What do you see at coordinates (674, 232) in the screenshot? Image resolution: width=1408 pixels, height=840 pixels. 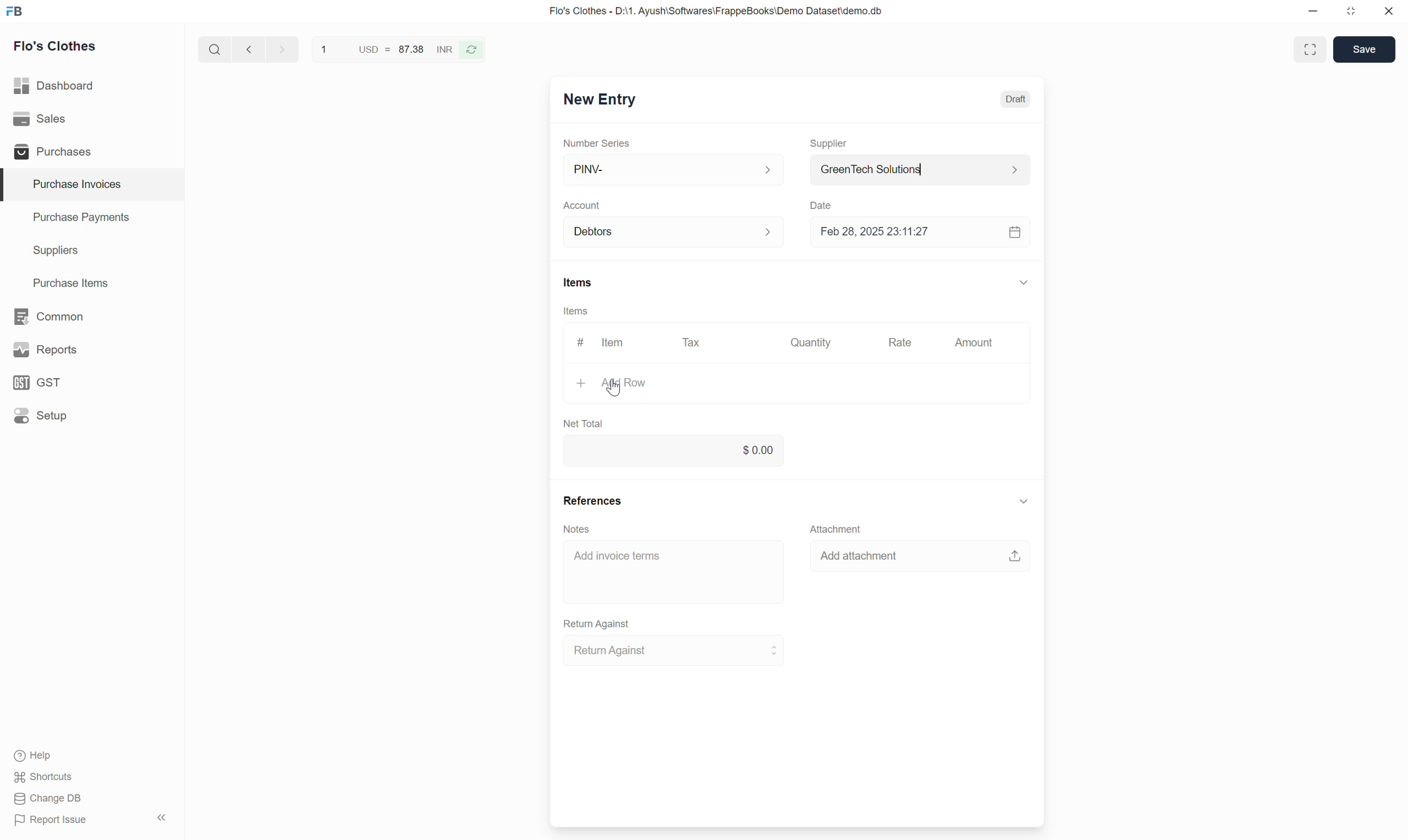 I see `Account` at bounding box center [674, 232].